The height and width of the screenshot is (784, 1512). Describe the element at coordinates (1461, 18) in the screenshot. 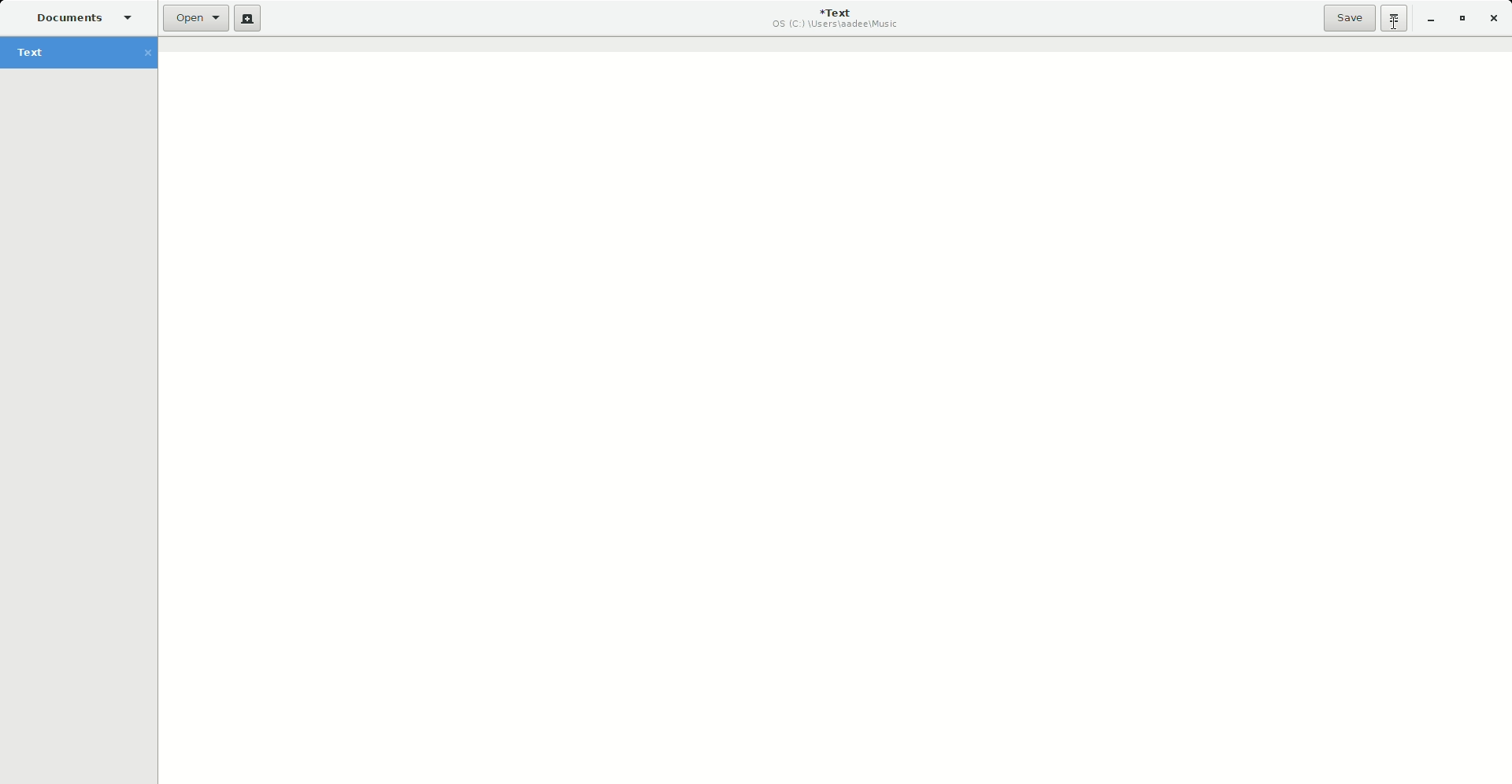

I see `Restore` at that location.